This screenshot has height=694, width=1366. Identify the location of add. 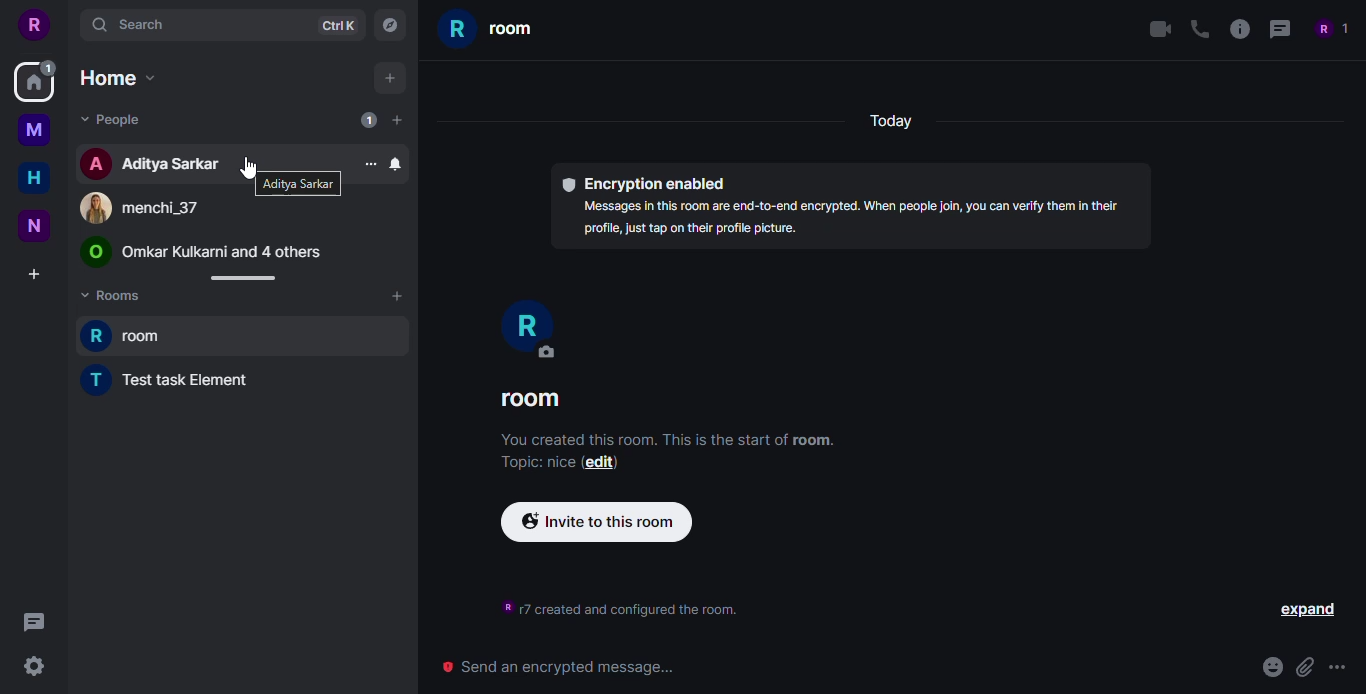
(388, 78).